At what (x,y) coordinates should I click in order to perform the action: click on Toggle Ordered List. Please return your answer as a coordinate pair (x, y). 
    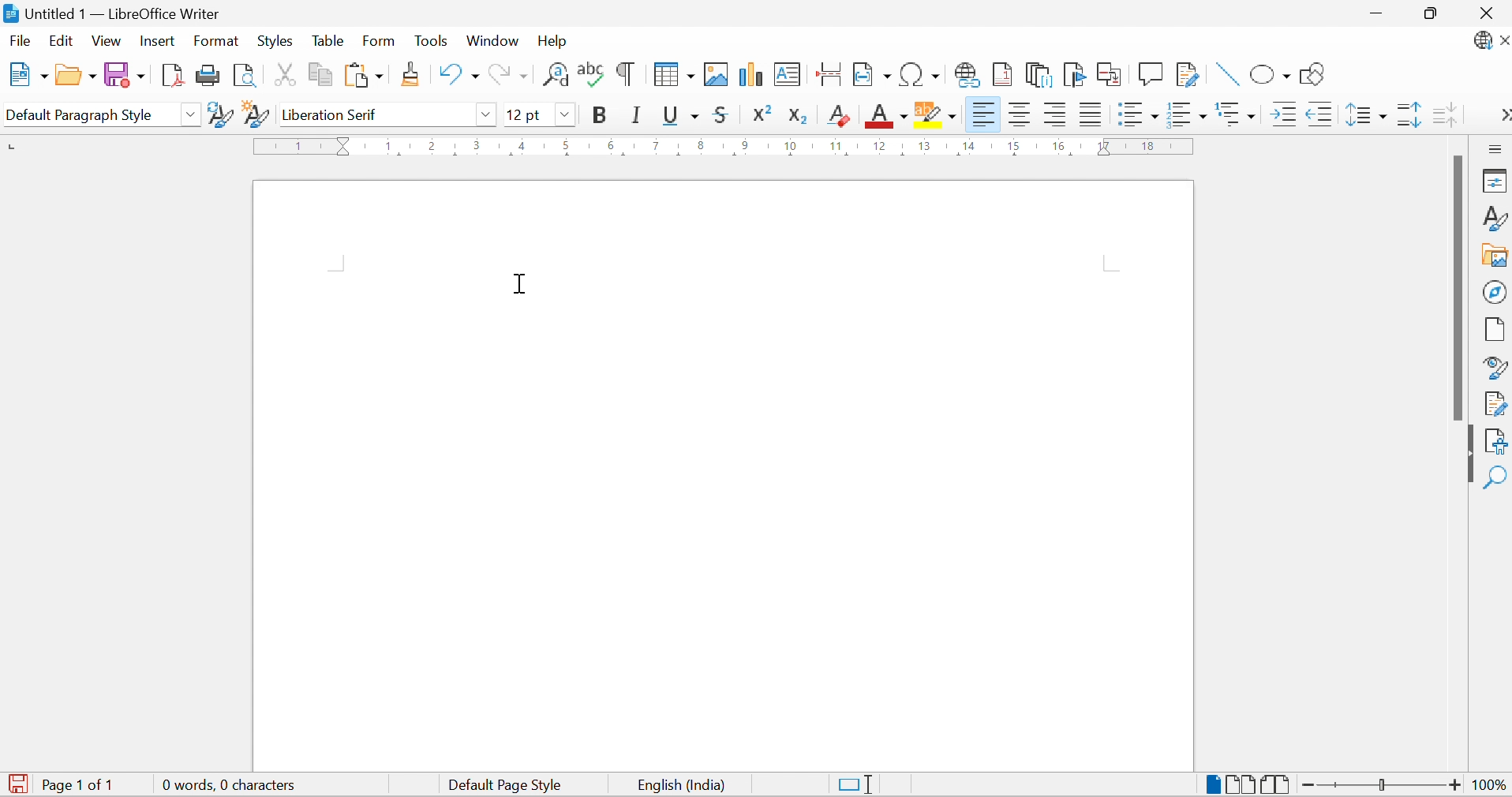
    Looking at the image, I should click on (1188, 114).